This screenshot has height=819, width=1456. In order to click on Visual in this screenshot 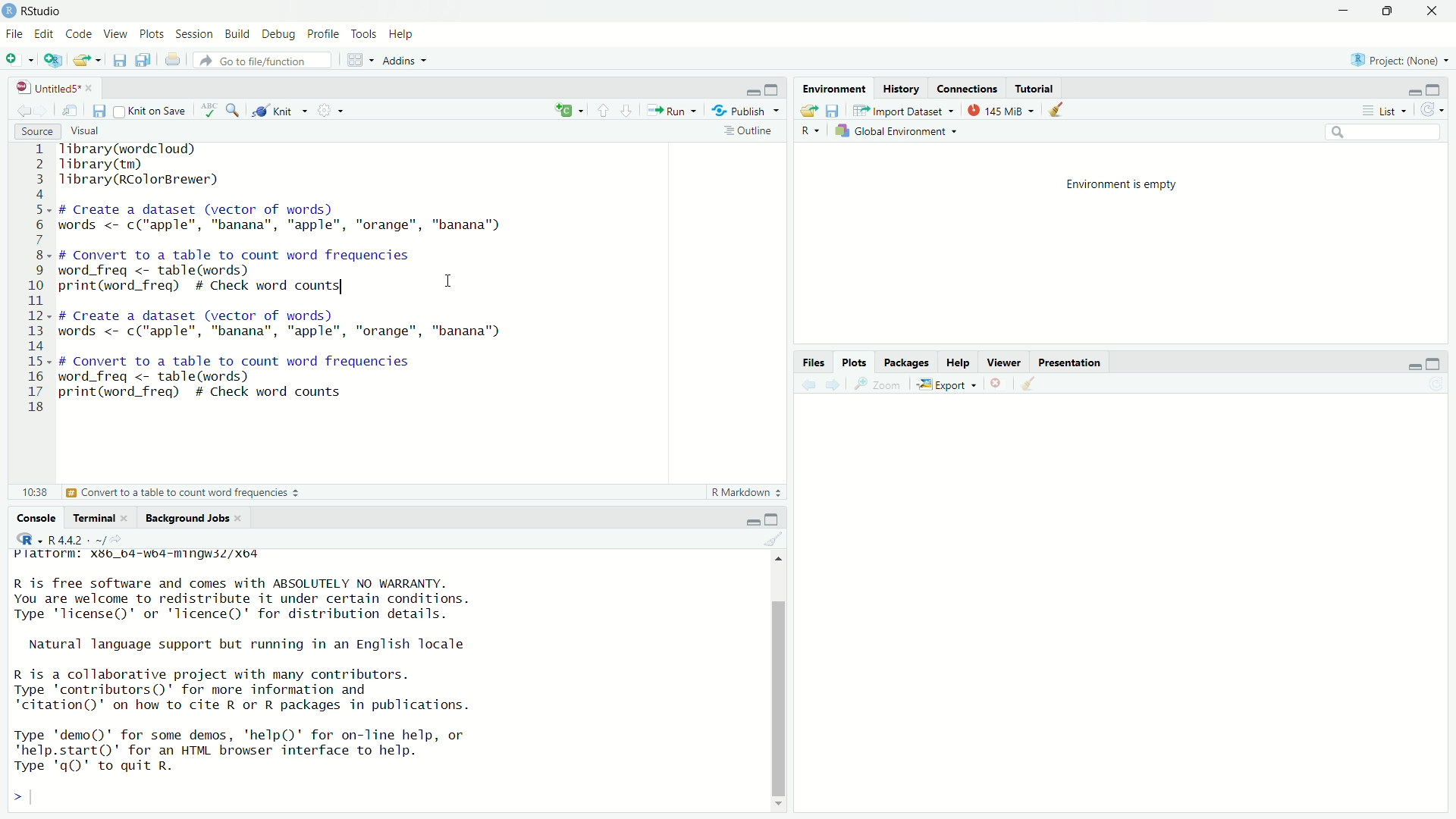, I will do `click(89, 132)`.